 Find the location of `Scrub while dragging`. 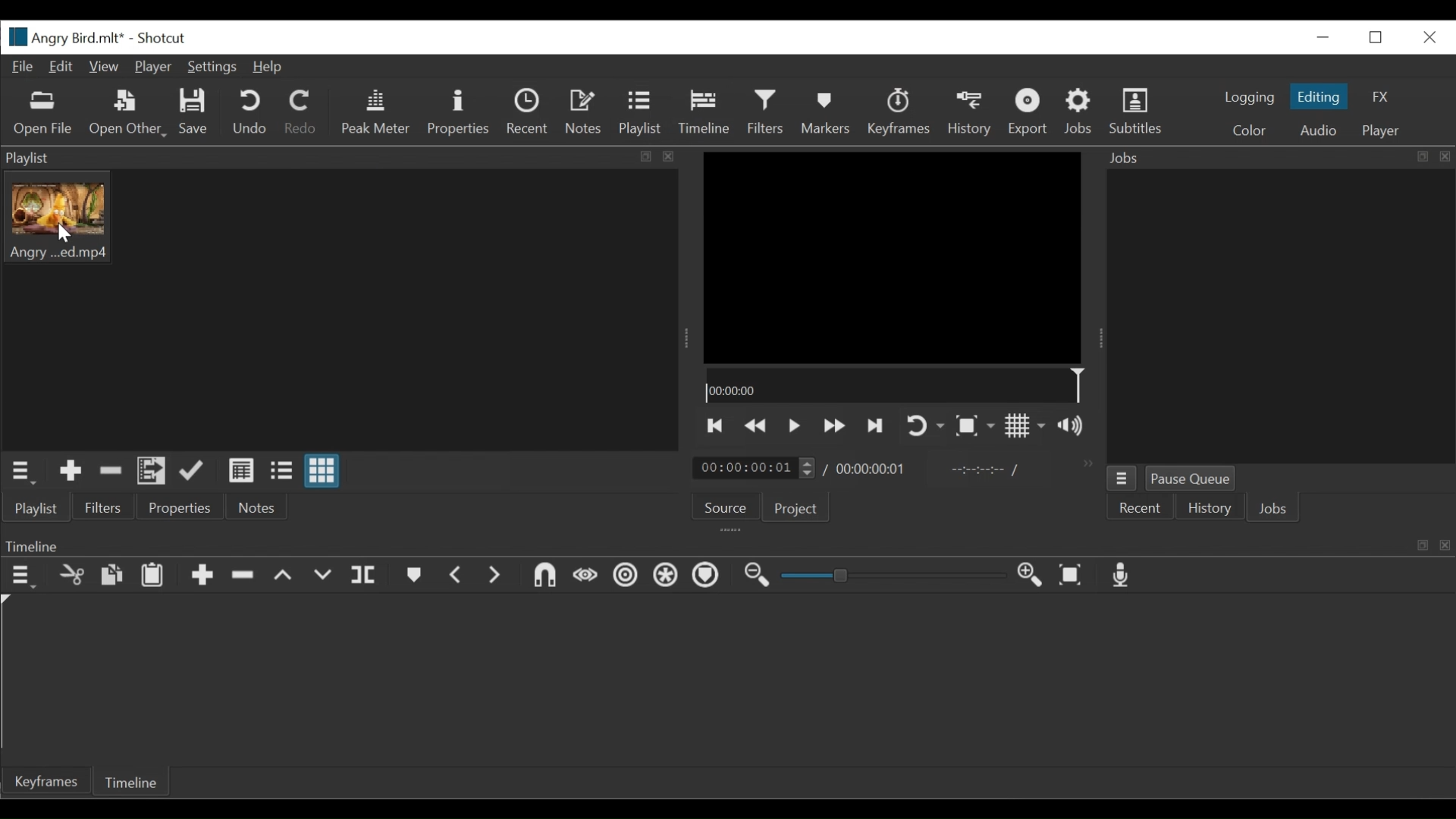

Scrub while dragging is located at coordinates (588, 575).